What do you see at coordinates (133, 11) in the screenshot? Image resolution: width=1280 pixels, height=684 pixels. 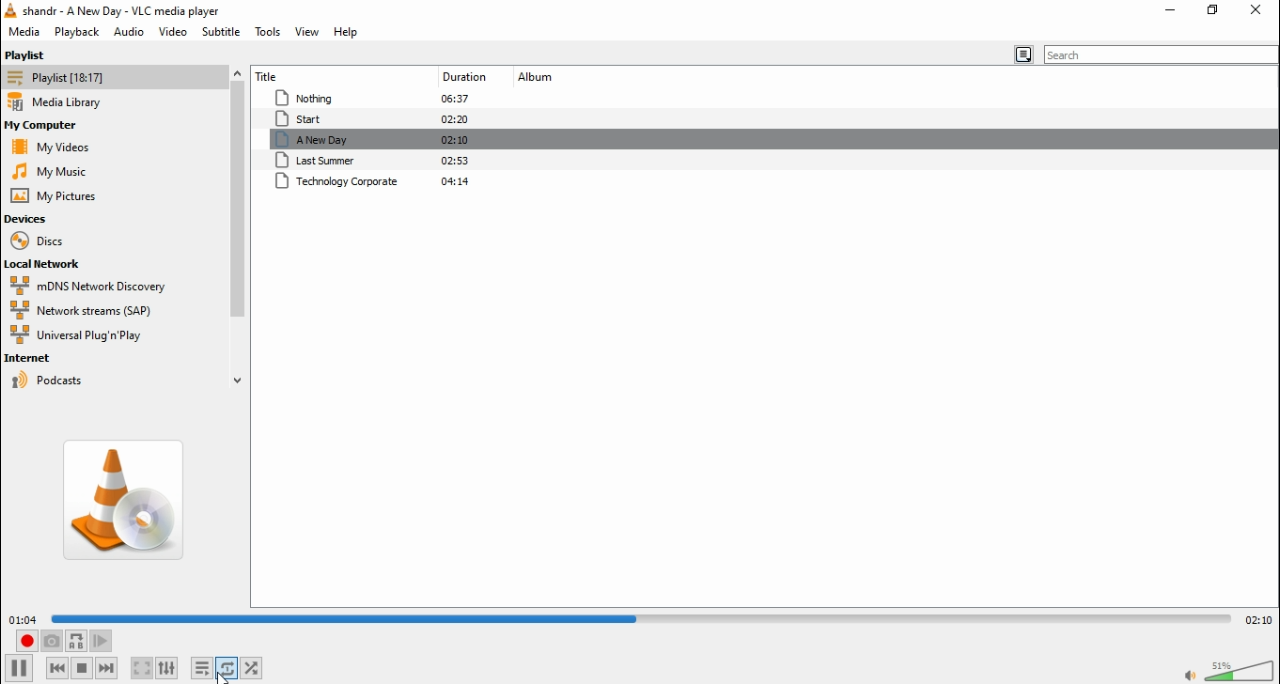 I see `shandr - A New Day - VLC media player` at bounding box center [133, 11].